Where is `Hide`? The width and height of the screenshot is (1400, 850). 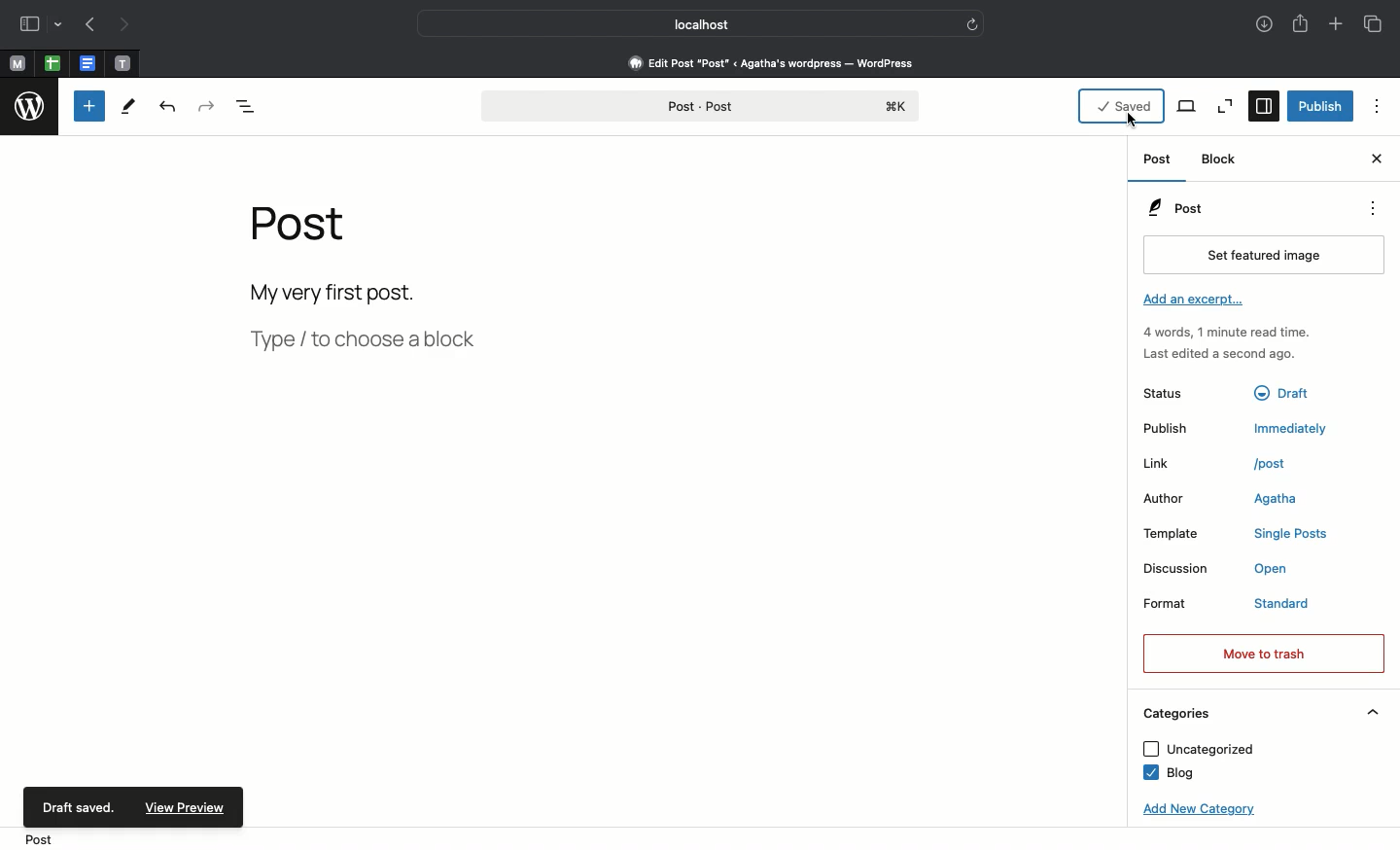 Hide is located at coordinates (1374, 712).